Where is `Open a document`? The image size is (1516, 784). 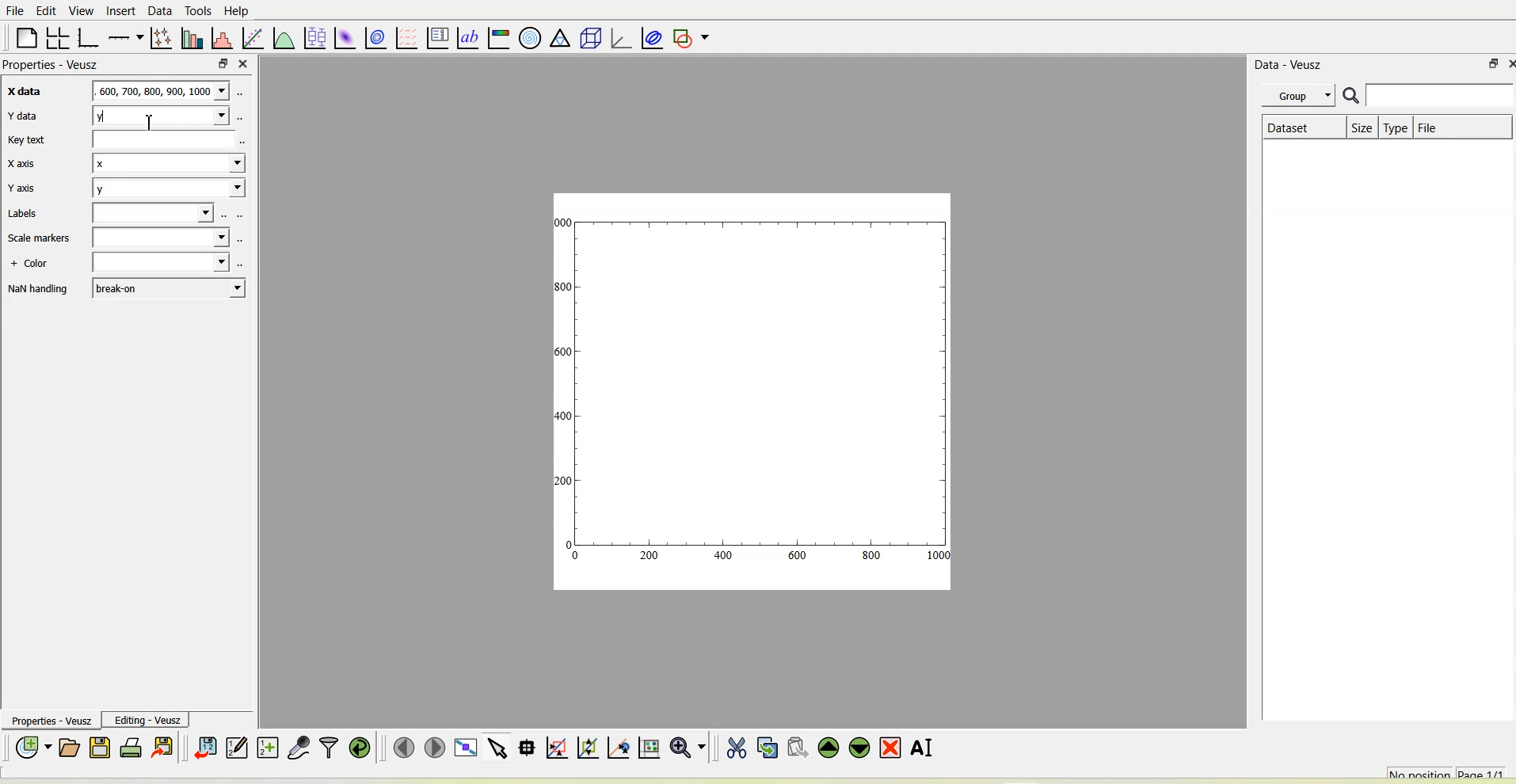 Open a document is located at coordinates (70, 748).